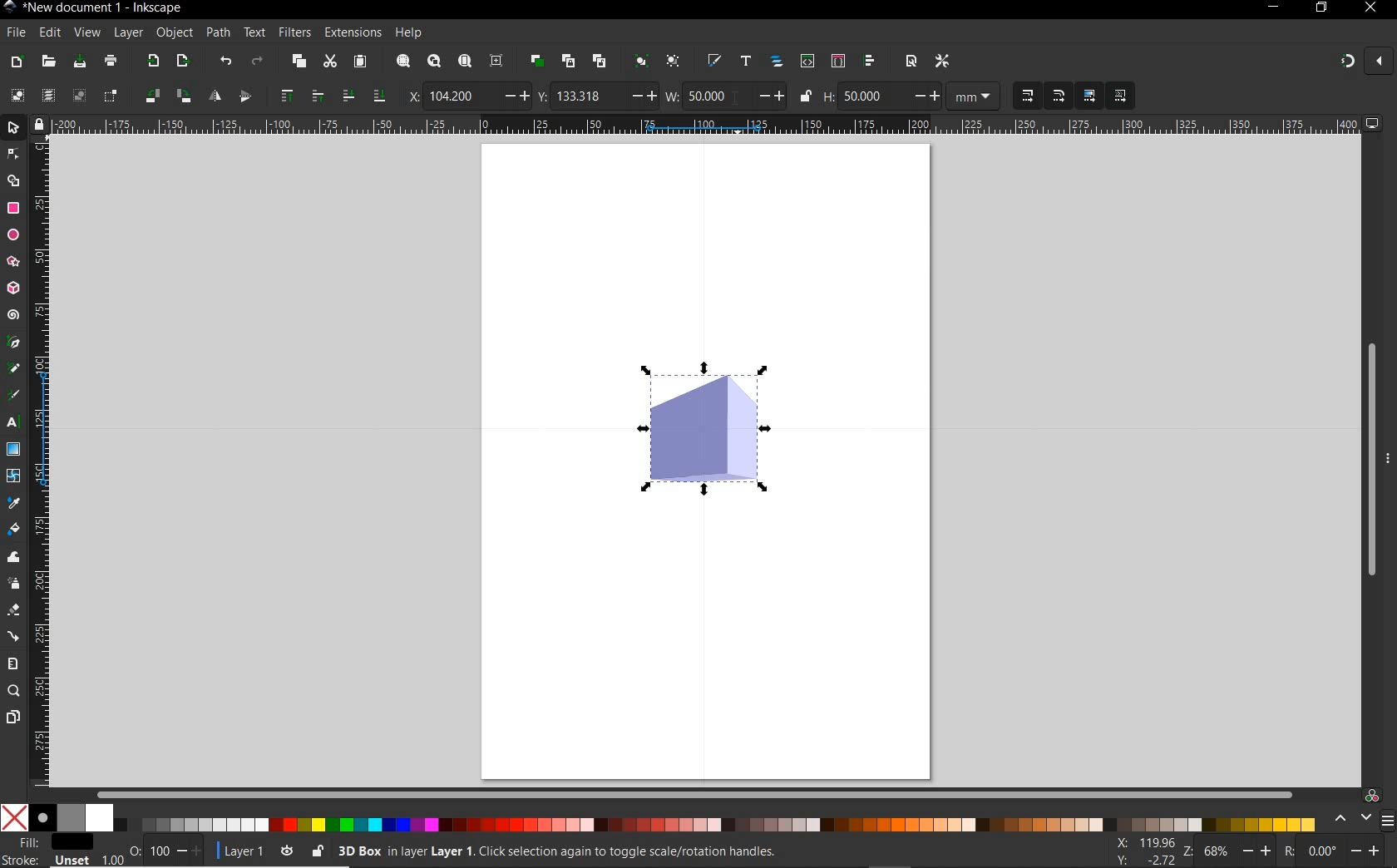 This screenshot has height=868, width=1397. Describe the element at coordinates (837, 60) in the screenshot. I see `open selectors` at that location.